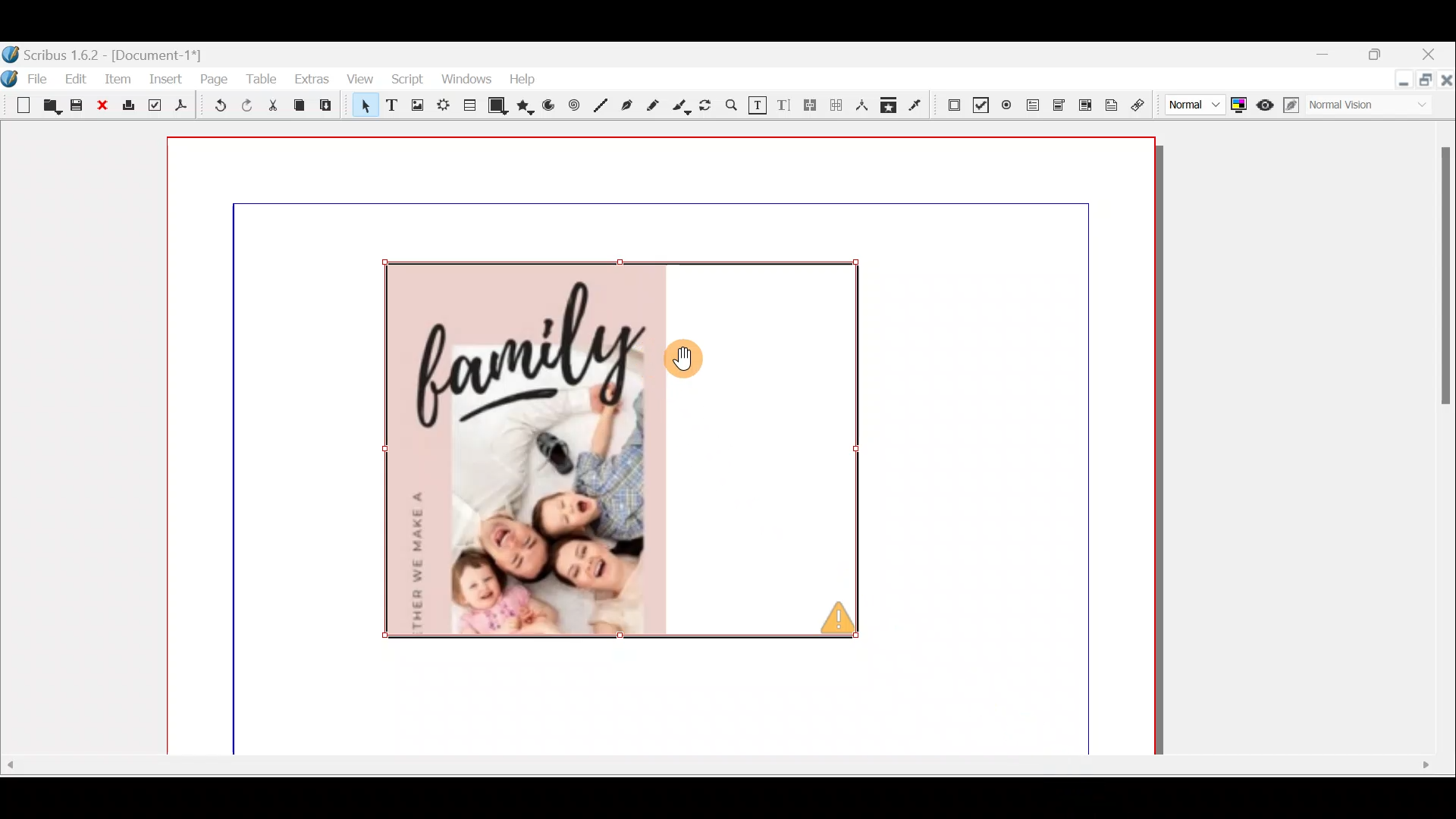 This screenshot has height=819, width=1456. I want to click on PDF check box, so click(978, 104).